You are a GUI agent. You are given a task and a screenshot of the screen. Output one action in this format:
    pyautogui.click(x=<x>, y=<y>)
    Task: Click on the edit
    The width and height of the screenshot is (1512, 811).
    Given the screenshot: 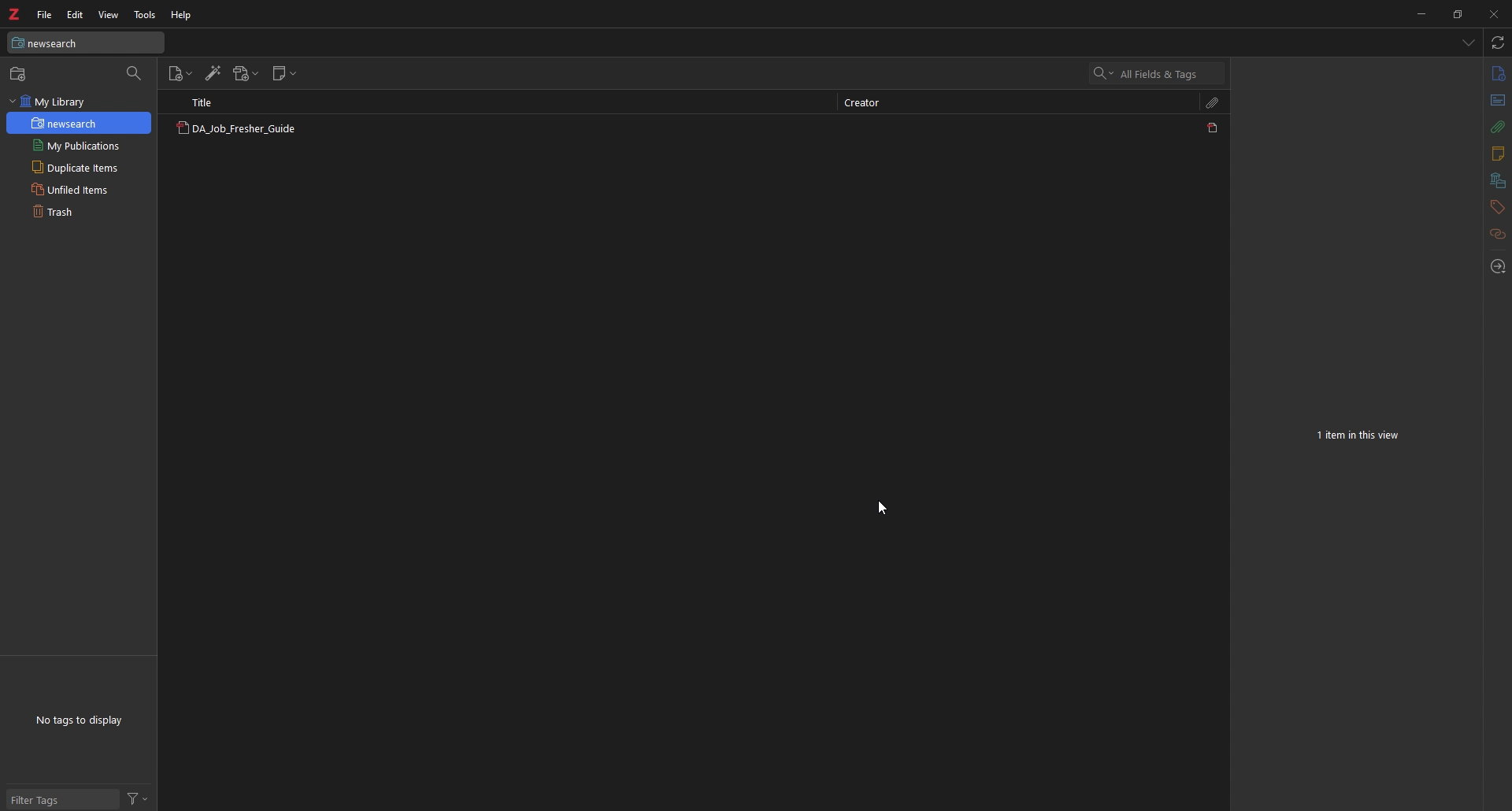 What is the action you would take?
    pyautogui.click(x=76, y=15)
    